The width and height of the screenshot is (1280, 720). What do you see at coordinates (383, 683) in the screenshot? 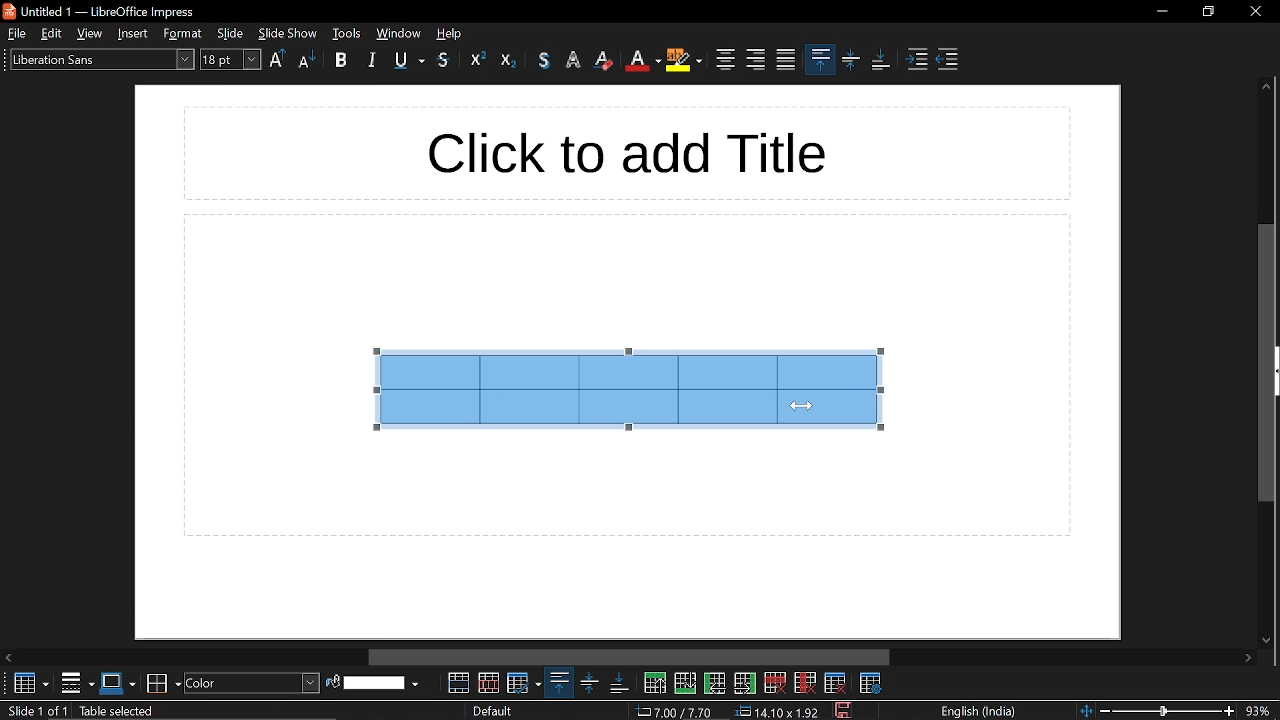
I see `fill color` at bounding box center [383, 683].